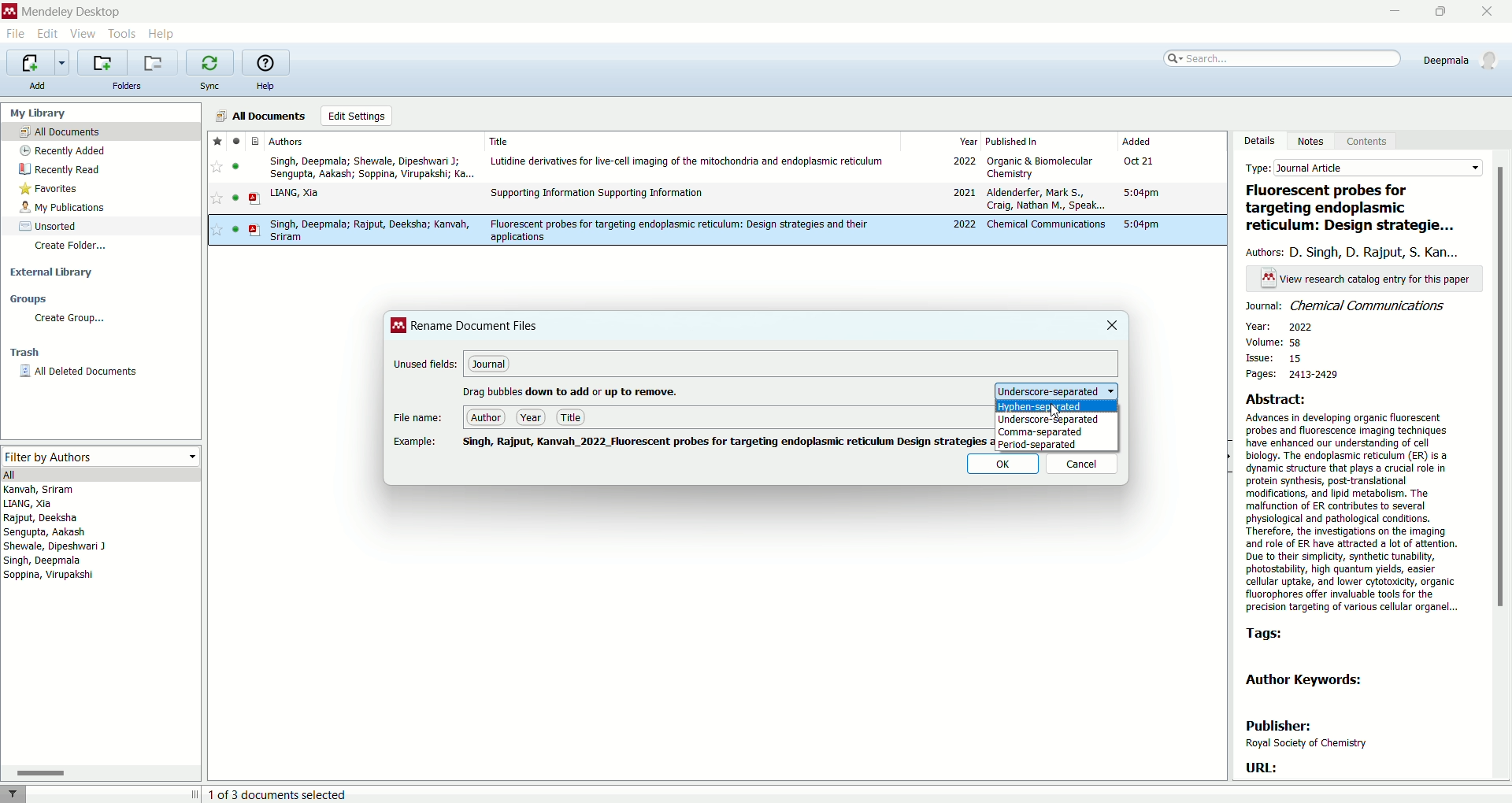 Image resolution: width=1512 pixels, height=803 pixels. I want to click on help, so click(265, 87).